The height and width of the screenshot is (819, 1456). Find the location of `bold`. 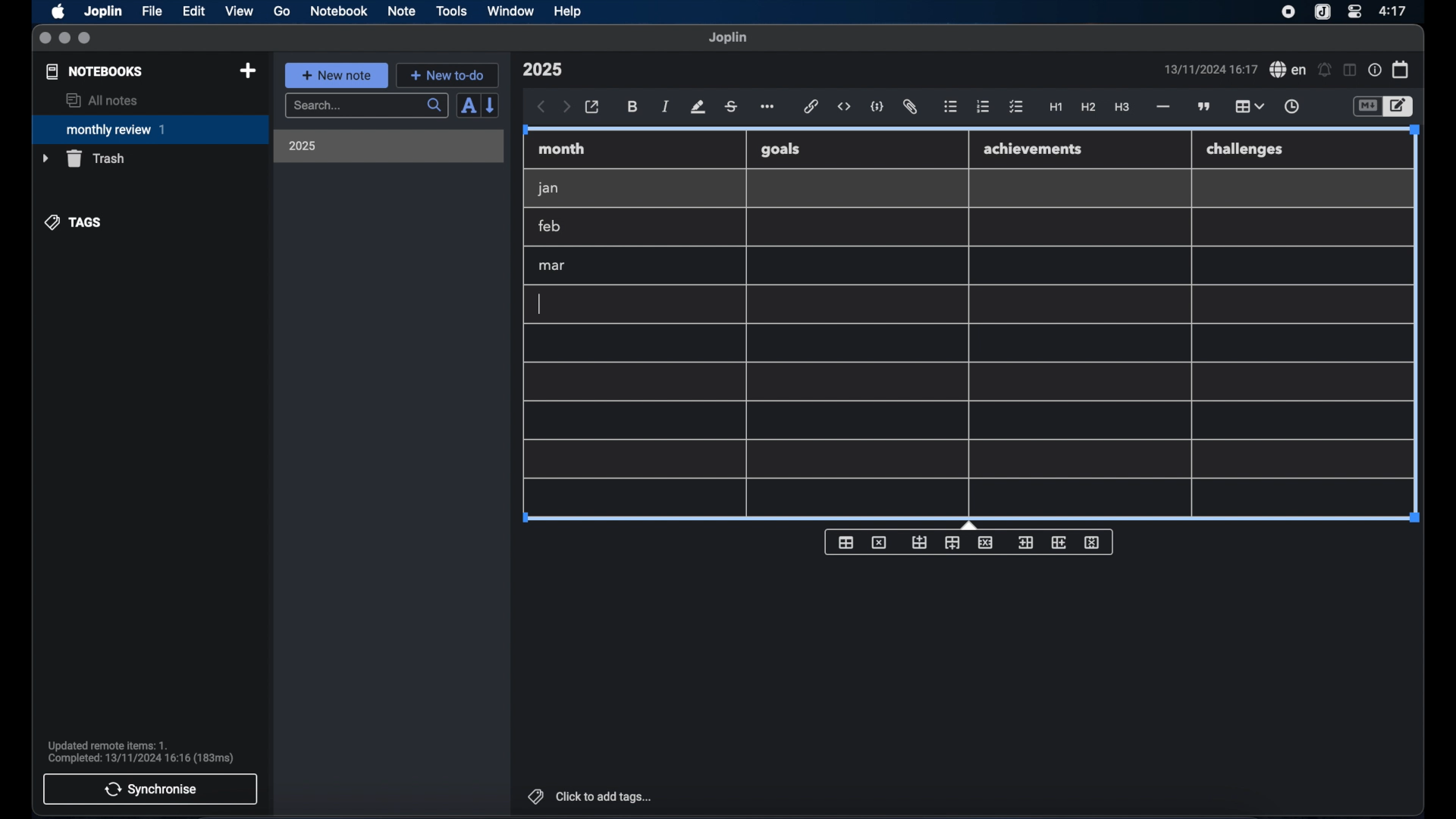

bold is located at coordinates (634, 107).